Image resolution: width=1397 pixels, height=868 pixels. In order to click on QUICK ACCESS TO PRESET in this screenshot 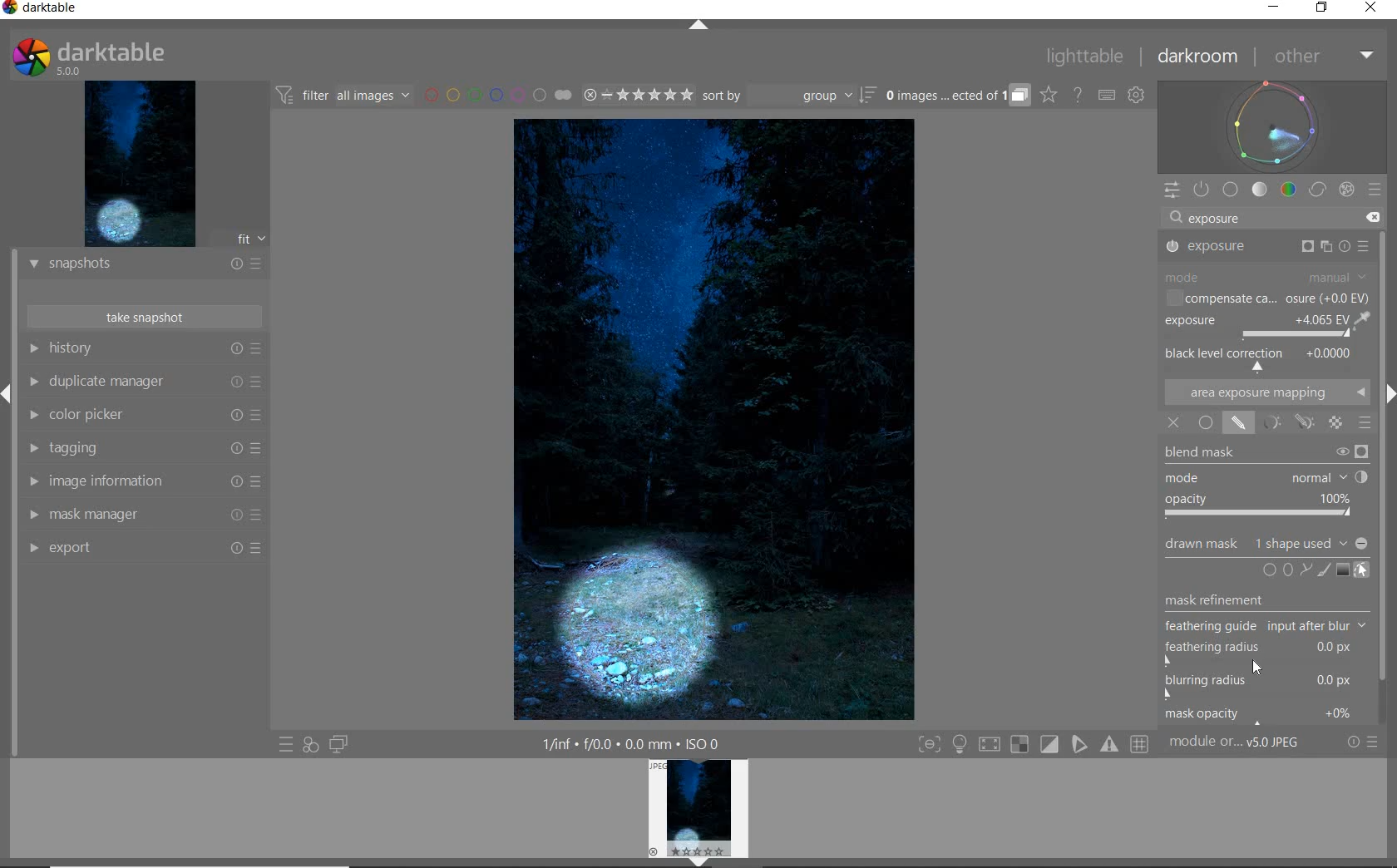, I will do `click(287, 745)`.